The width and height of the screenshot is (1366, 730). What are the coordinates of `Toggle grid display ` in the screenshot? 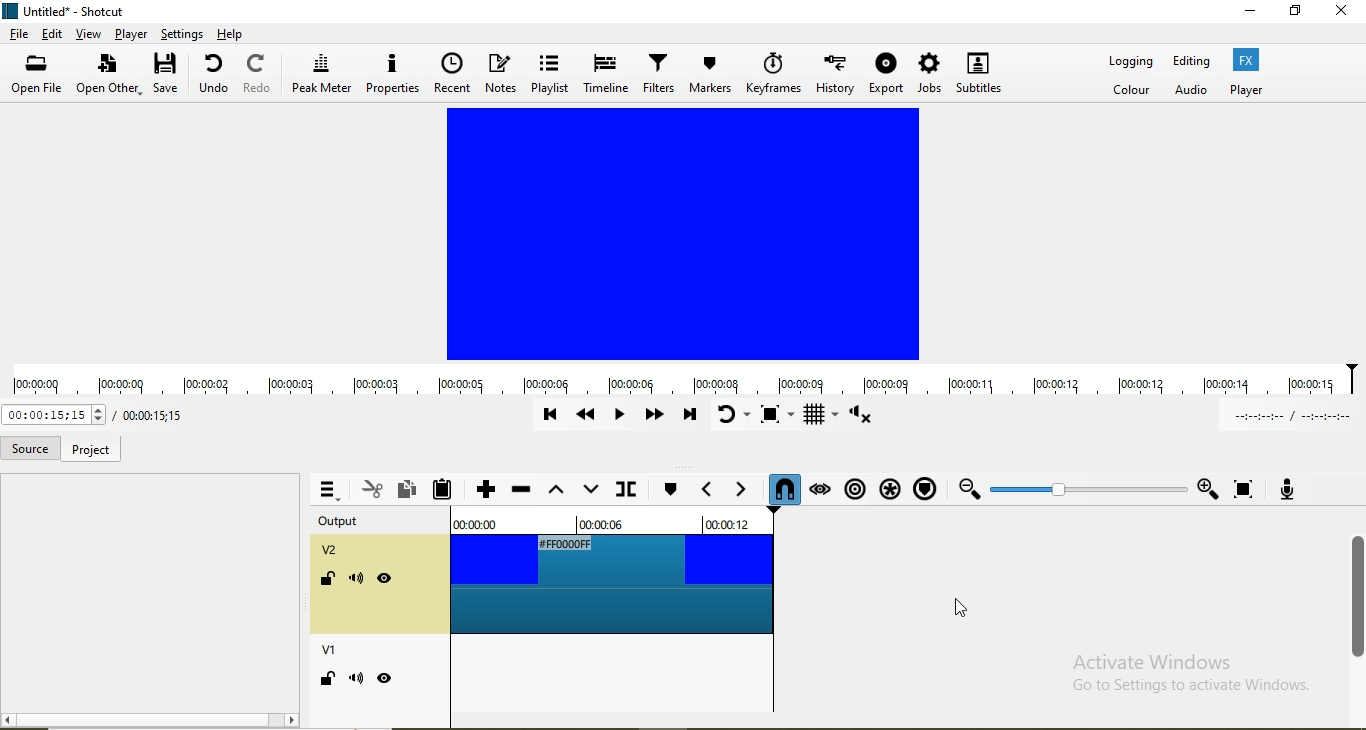 It's located at (822, 415).